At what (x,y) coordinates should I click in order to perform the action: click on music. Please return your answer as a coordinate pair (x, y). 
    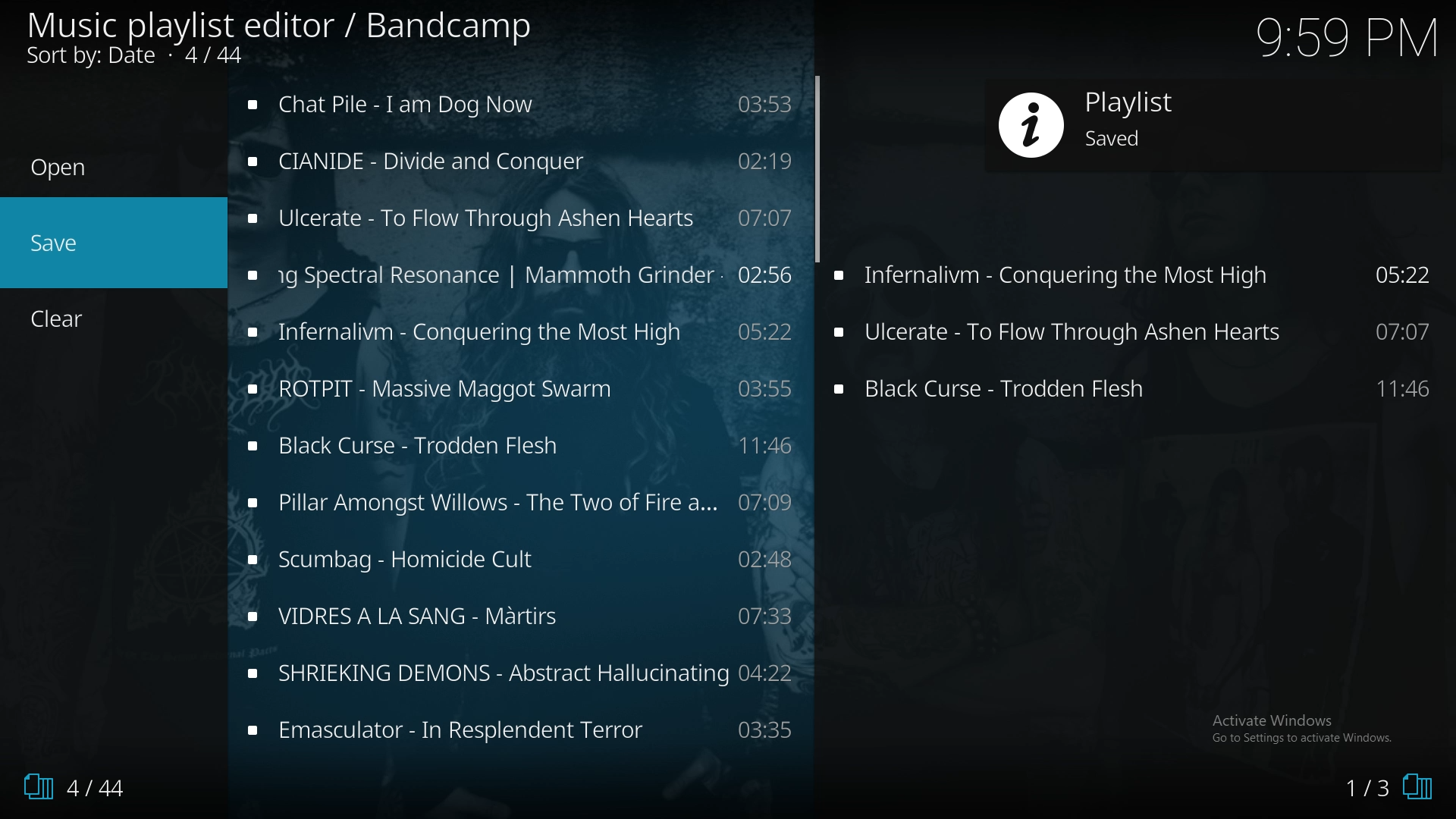
    Looking at the image, I should click on (521, 218).